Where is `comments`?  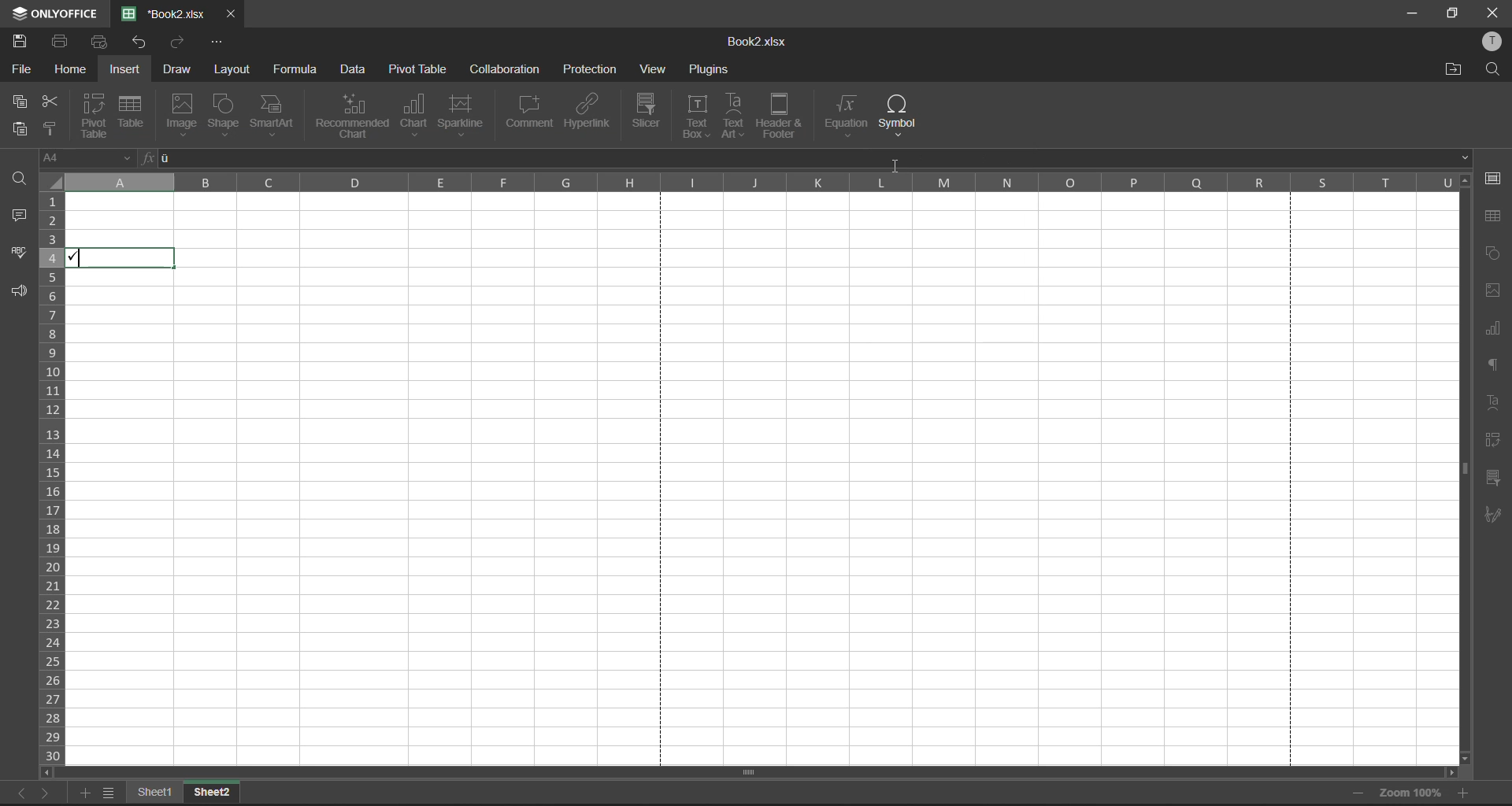 comments is located at coordinates (21, 217).